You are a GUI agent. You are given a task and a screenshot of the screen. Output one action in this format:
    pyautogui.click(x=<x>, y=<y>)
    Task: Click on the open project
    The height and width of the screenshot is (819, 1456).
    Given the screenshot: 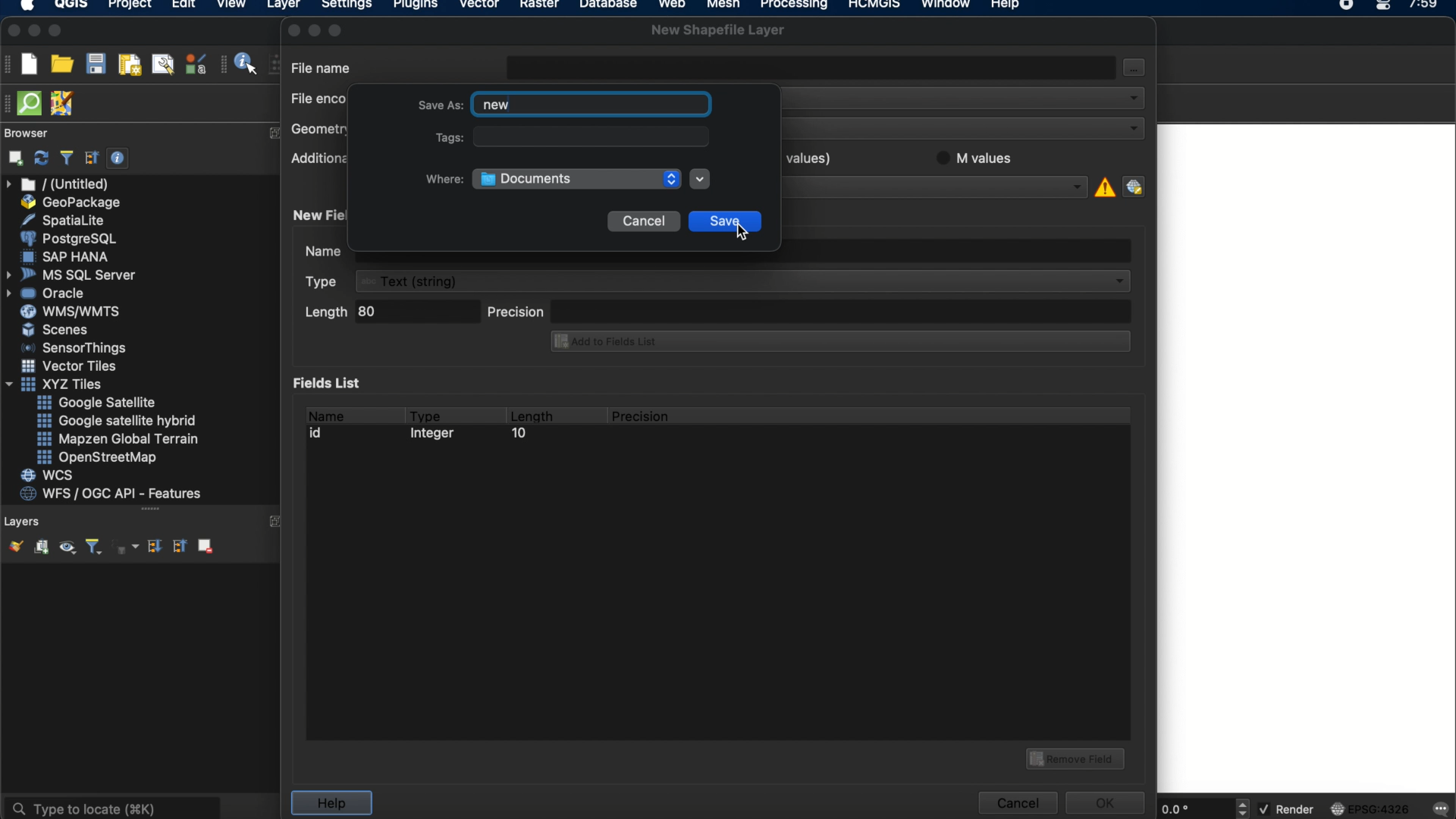 What is the action you would take?
    pyautogui.click(x=61, y=64)
    